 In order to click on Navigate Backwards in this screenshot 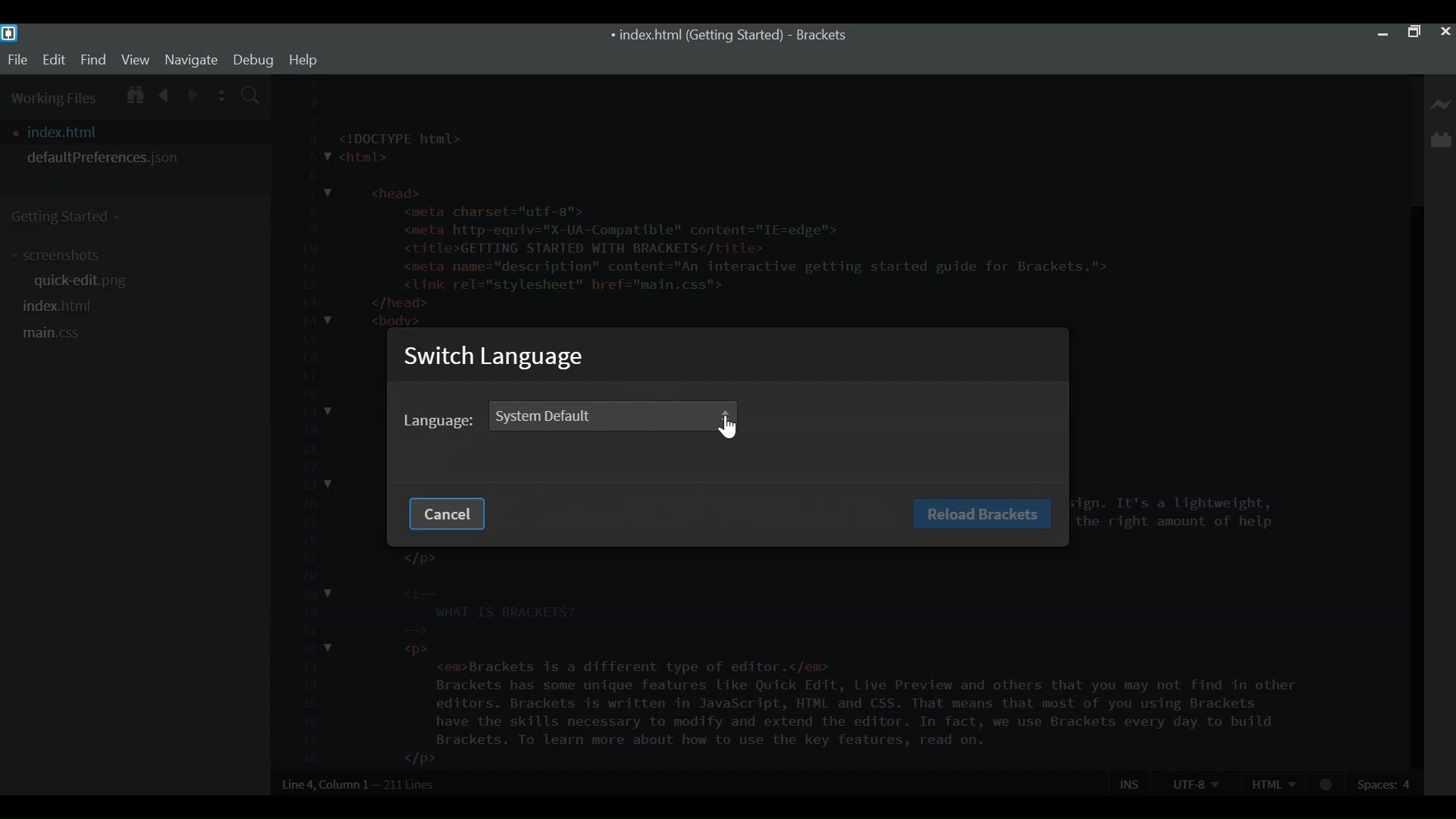, I will do `click(165, 93)`.